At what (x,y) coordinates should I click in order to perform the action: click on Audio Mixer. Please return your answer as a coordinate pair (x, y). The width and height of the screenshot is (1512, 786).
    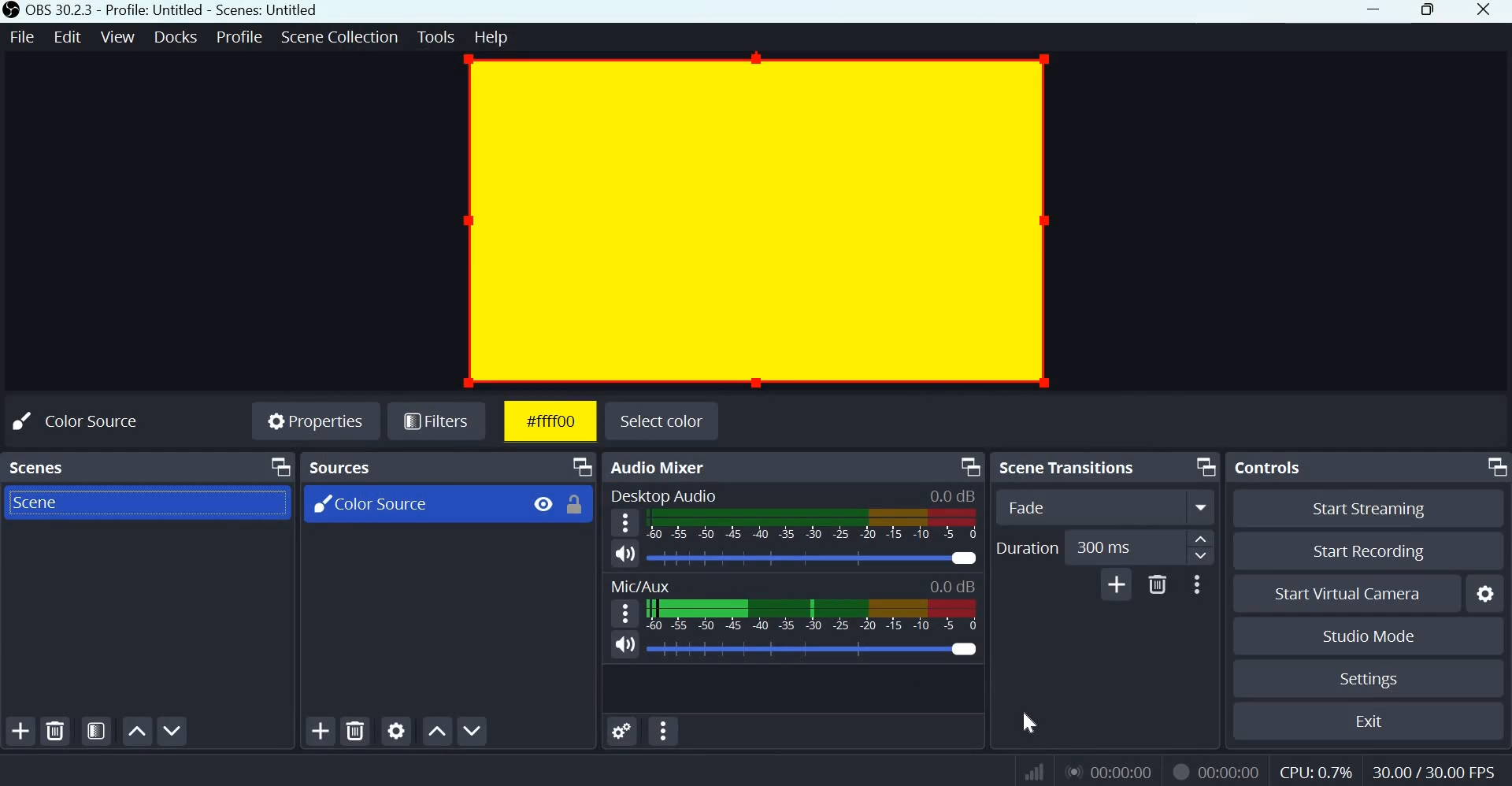
    Looking at the image, I should click on (661, 467).